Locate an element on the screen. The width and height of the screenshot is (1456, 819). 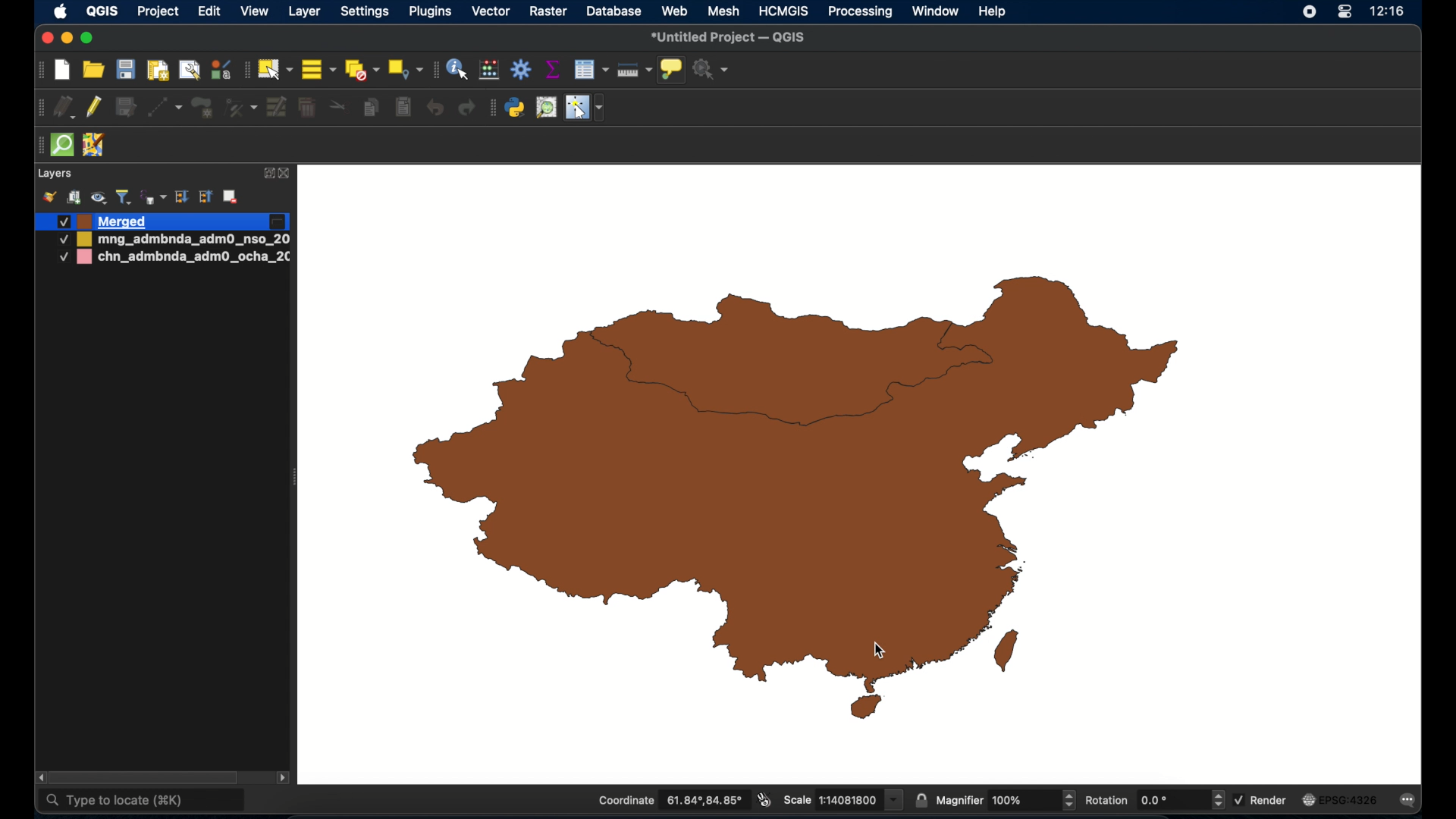
redo is located at coordinates (466, 108).